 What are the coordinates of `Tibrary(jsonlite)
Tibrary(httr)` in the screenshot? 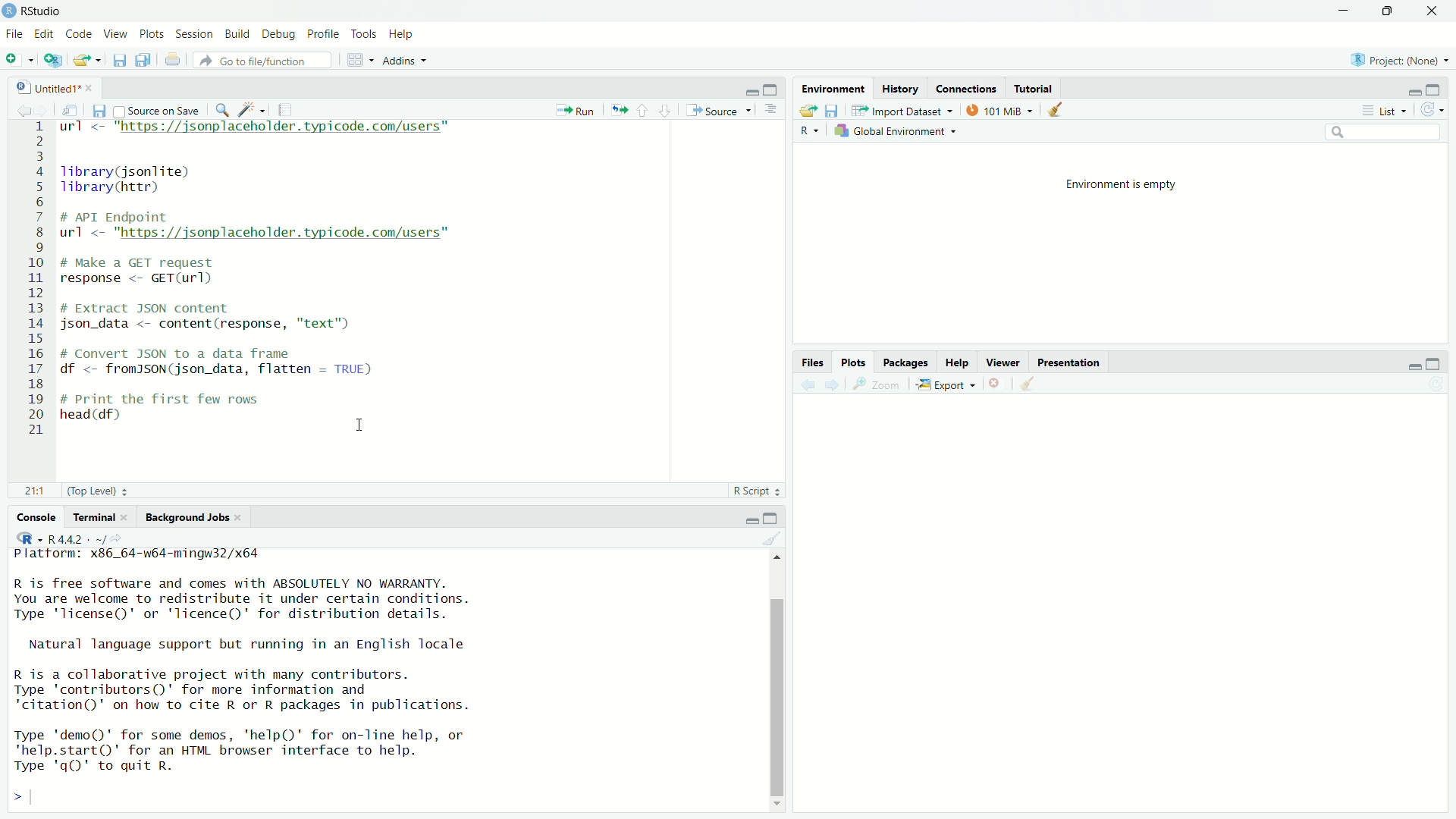 It's located at (129, 180).